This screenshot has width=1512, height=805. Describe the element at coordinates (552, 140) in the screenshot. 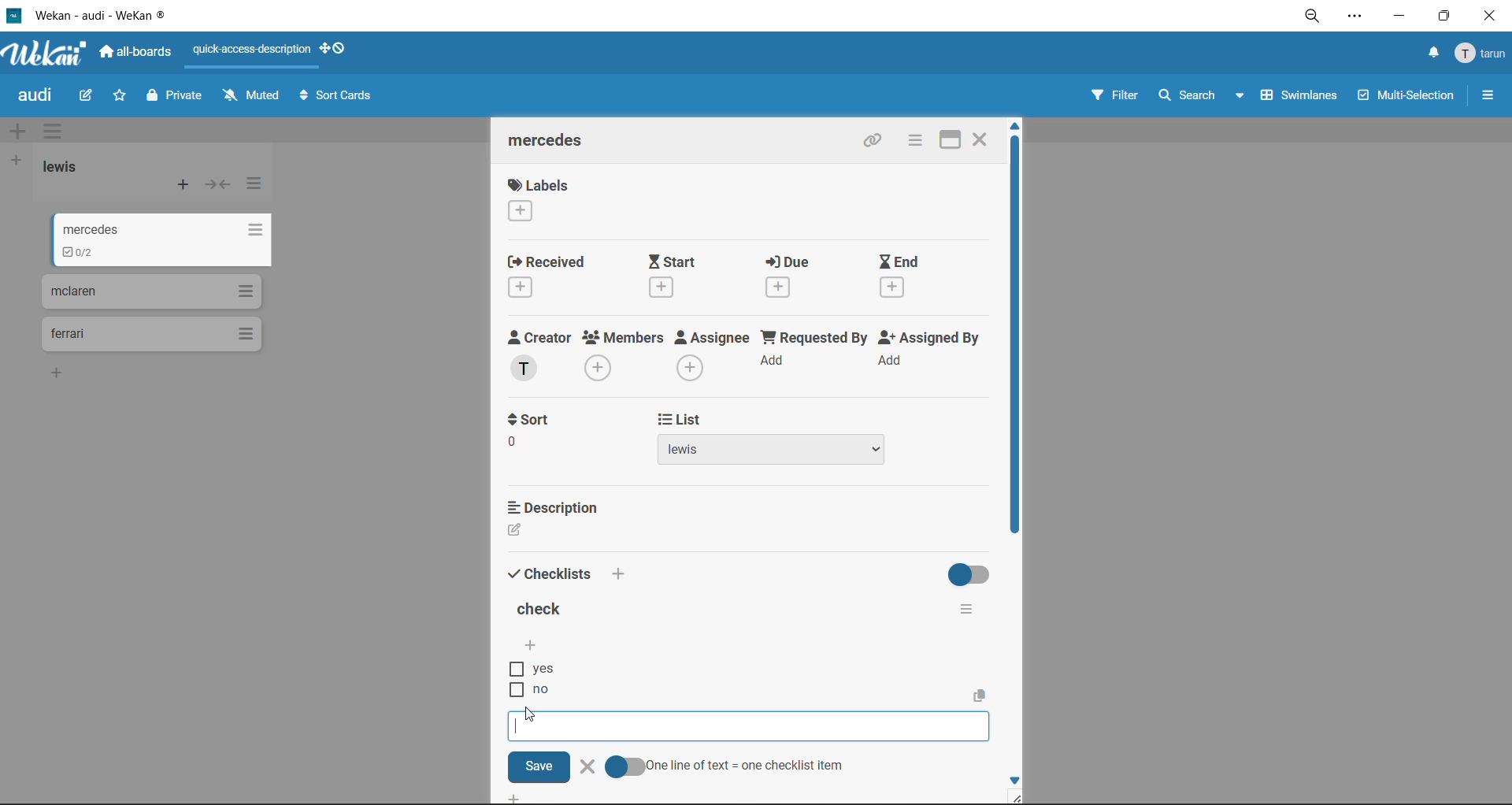

I see `mercedes` at that location.